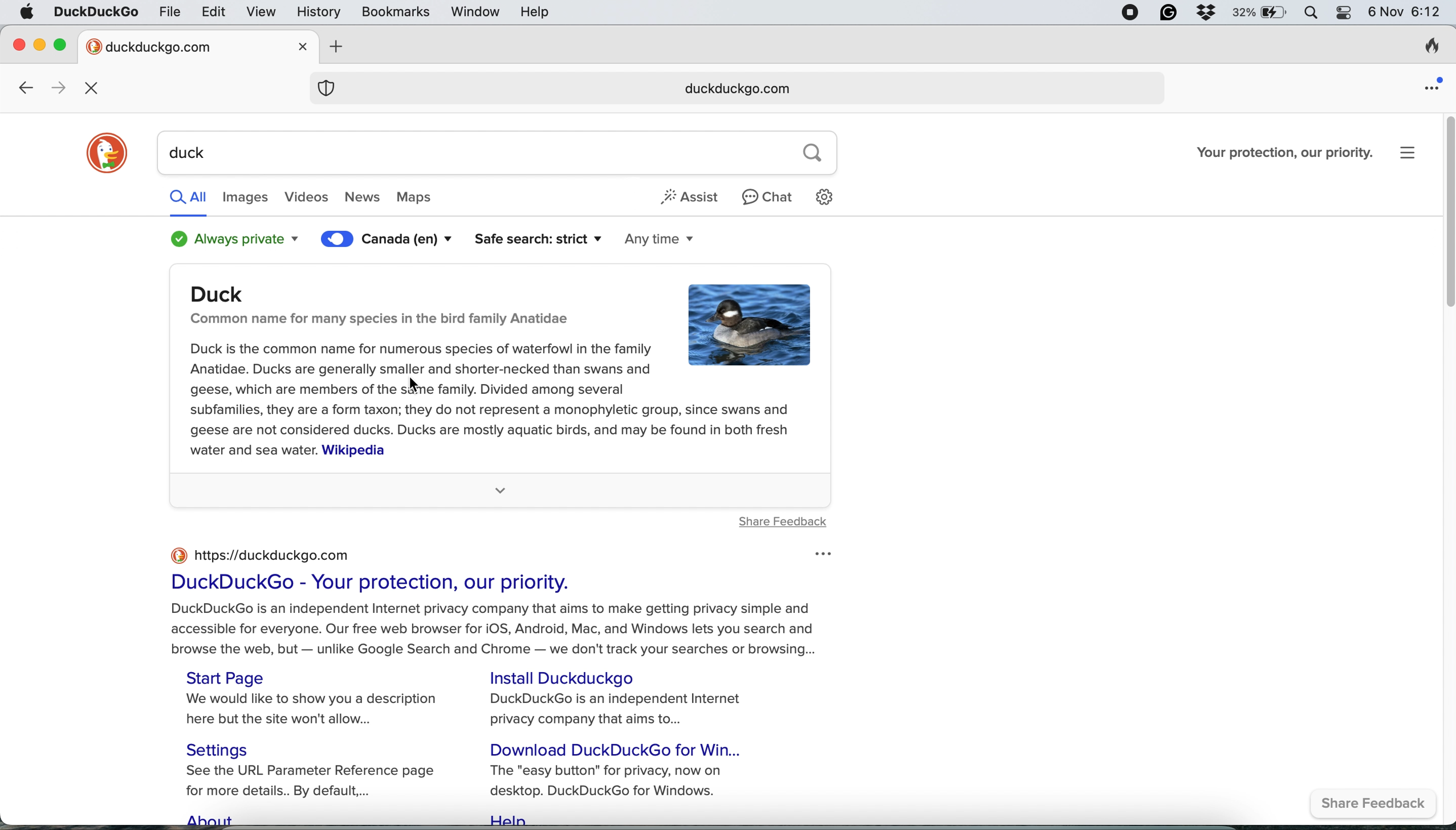 The height and width of the screenshot is (830, 1456). I want to click on close, so click(19, 42).